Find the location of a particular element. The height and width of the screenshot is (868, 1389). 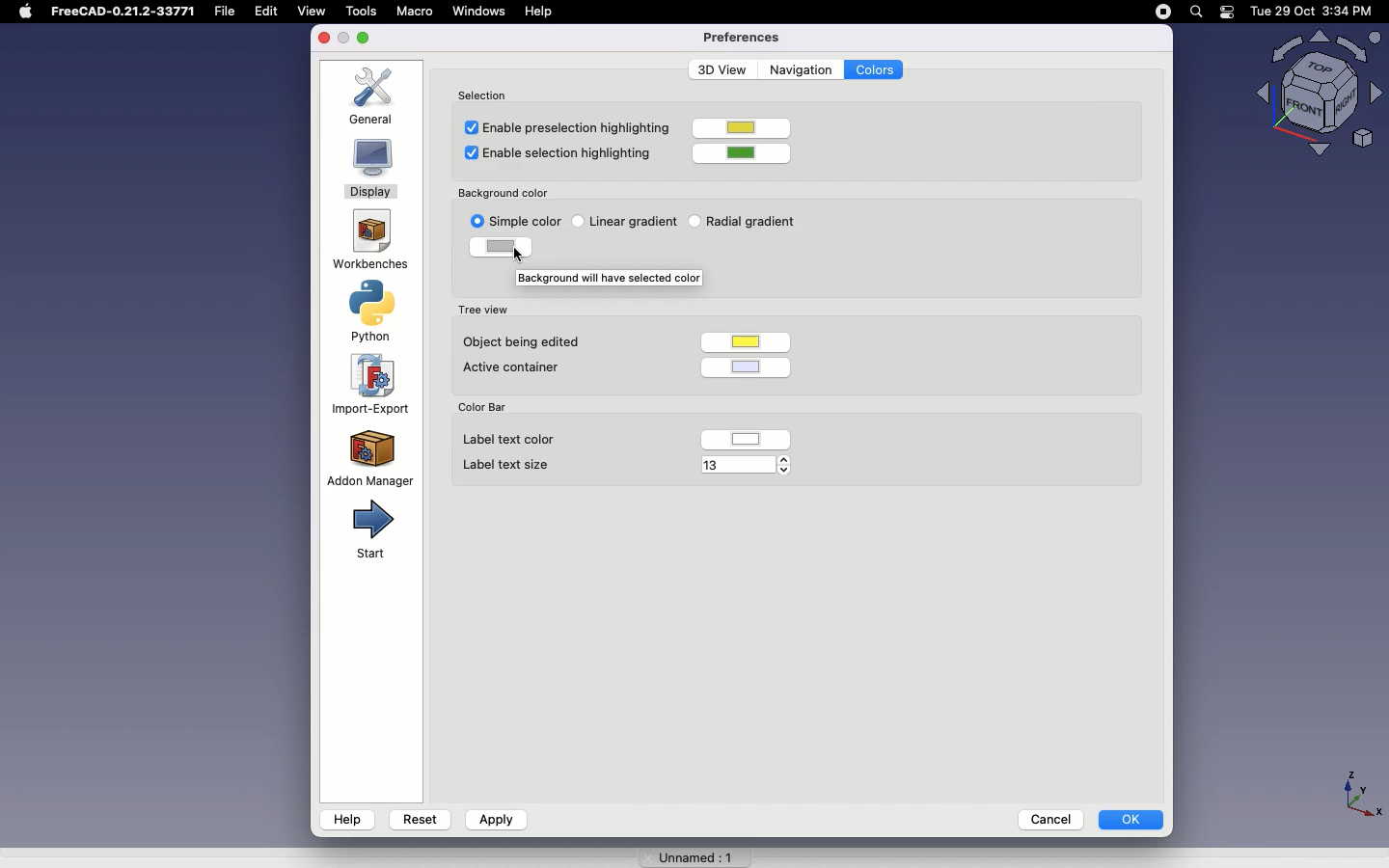

Workbenches is located at coordinates (368, 241).